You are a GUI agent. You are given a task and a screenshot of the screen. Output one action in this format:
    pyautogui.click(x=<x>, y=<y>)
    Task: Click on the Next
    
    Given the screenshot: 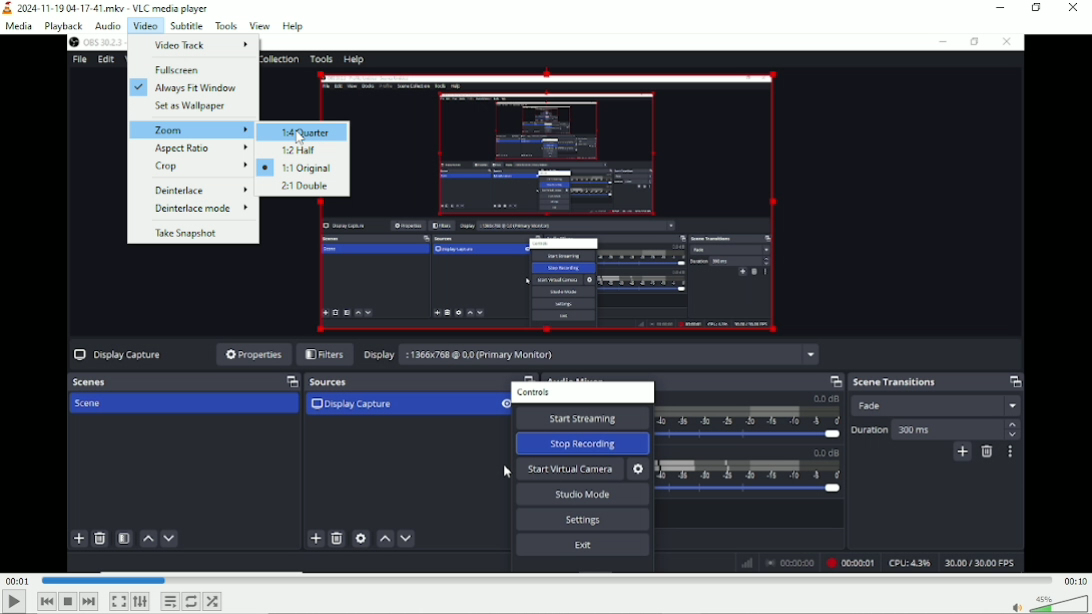 What is the action you would take?
    pyautogui.click(x=88, y=602)
    